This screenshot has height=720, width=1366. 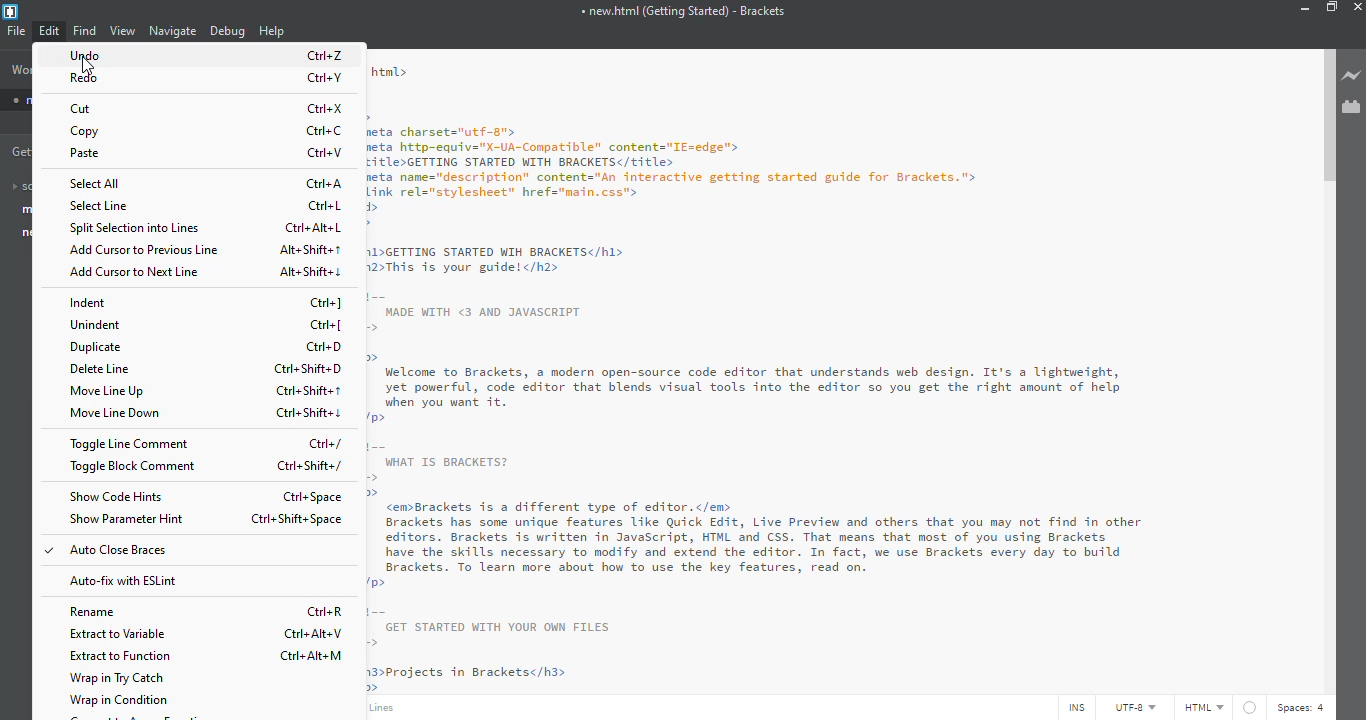 What do you see at coordinates (758, 521) in the screenshot?
I see `<>
Welcome to Brackets, a modern open-source code editor that understands web design. It's a lightweight,
yet powerful, code editor that blends visual tools into the editor so you get the right amount of help
when you want it.
</p>
"WHAT Is BRACKETS?
=
w®>
<emBrackets is a different type of editor.</em>
Brackets has some unique features like Quick Edit, Live Preview and others that you may not find in other
editors. Brackets is written in JavaScript, HTML and CSS. That means that most of you using Brackets
have the skills necessary to modify and extend the editor. In fact, we use Brackets every day to build
Brackets. To learn more about how to use the key features, read on.
</p>
"GET STARTED WITH YOUR OWN FILES
<h3>Projects in Brackets</h3>
pe` at bounding box center [758, 521].